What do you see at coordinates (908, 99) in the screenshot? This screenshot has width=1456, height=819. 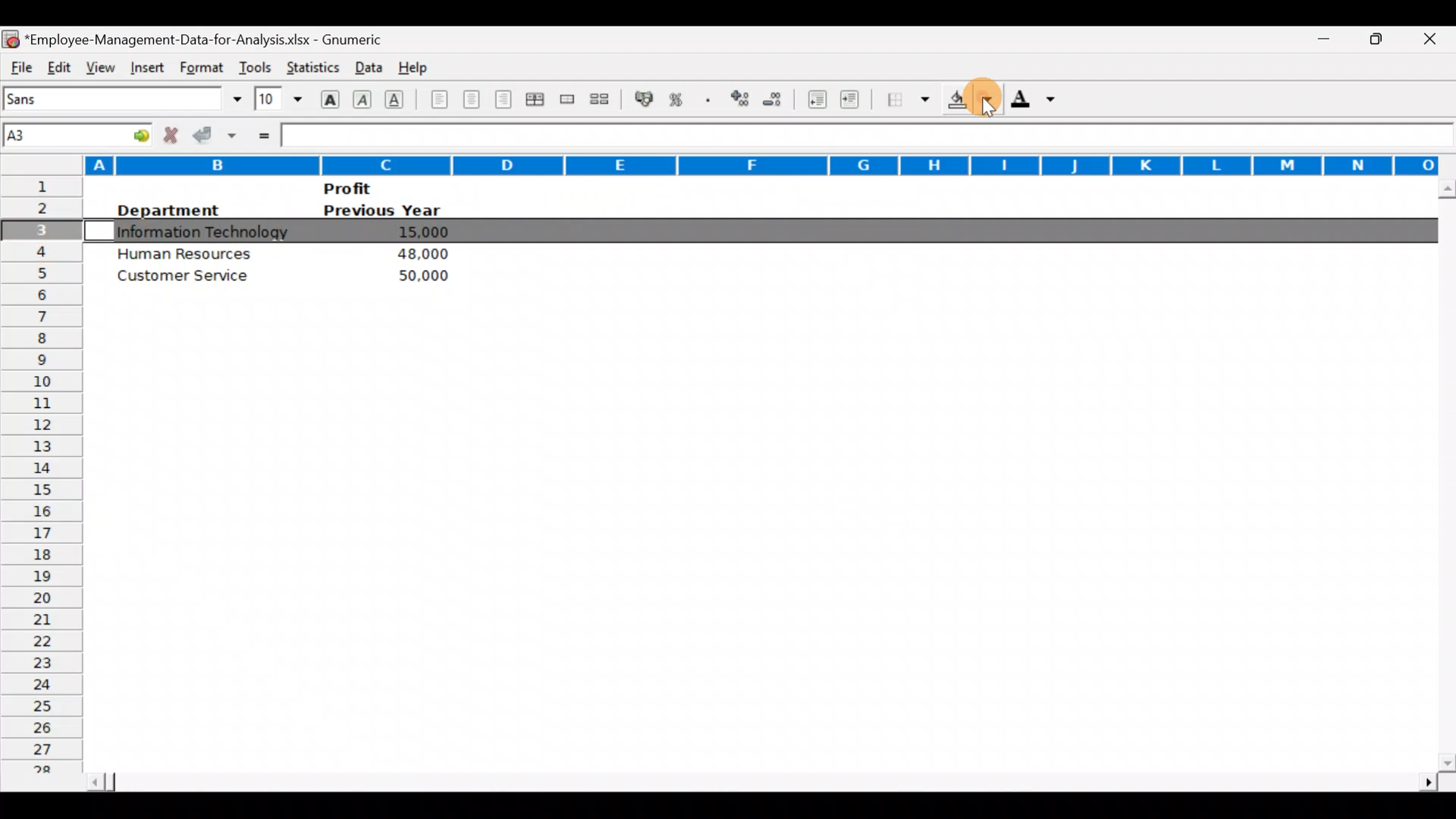 I see `Borders` at bounding box center [908, 99].